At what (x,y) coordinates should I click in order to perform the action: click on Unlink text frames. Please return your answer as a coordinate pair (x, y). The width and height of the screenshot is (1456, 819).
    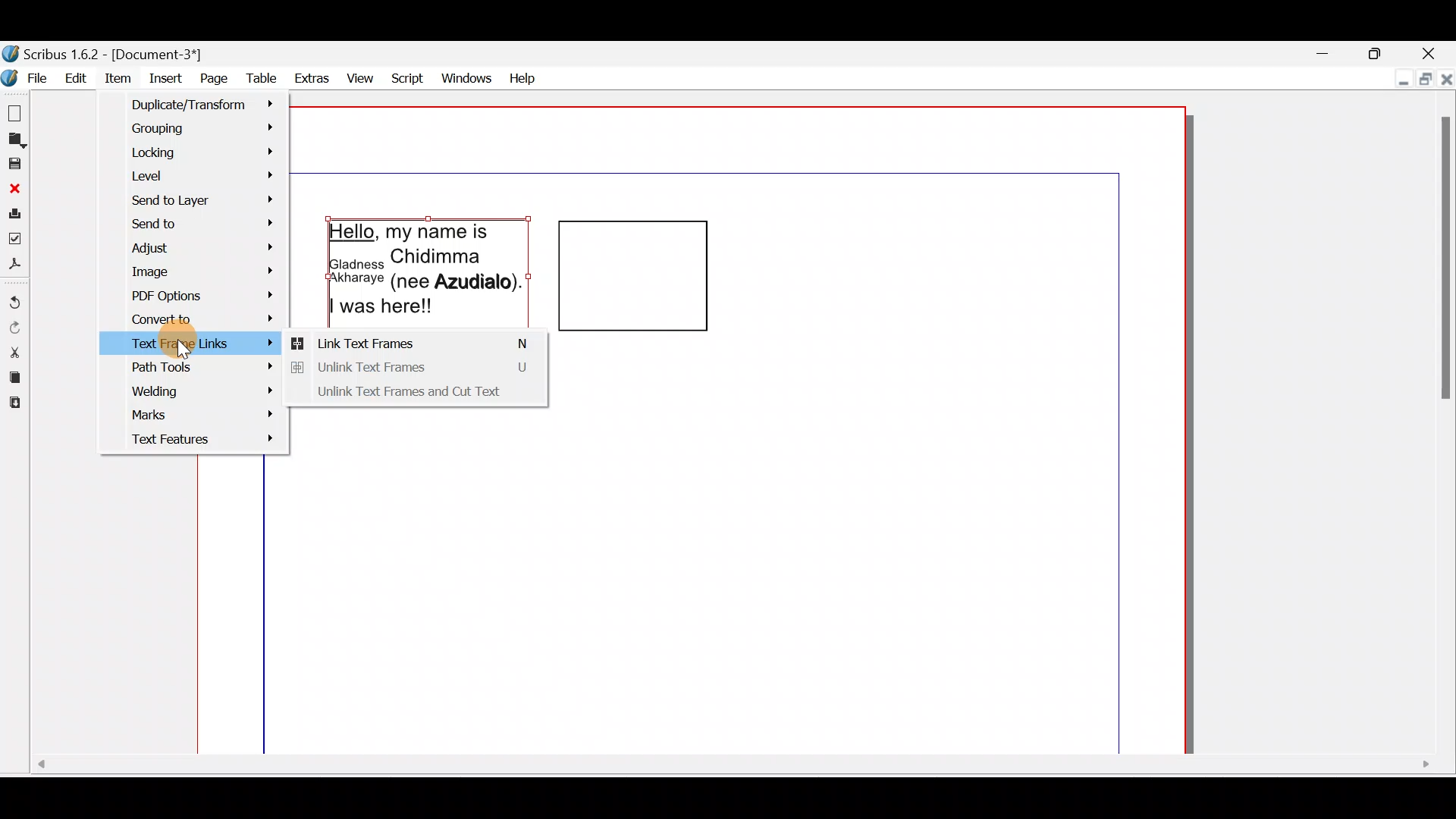
    Looking at the image, I should click on (419, 370).